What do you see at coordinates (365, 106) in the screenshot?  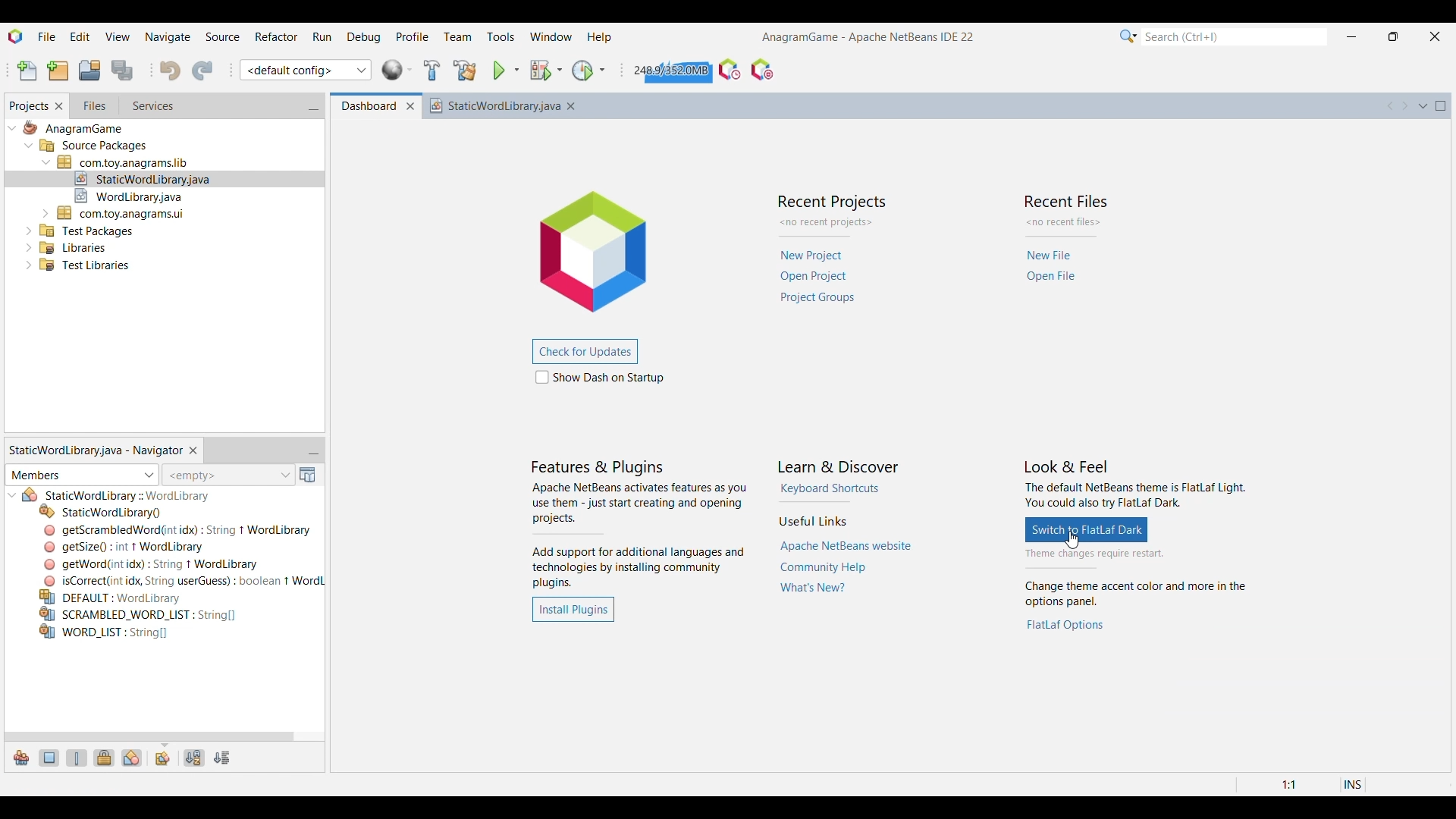 I see `Dashboard tab added` at bounding box center [365, 106].